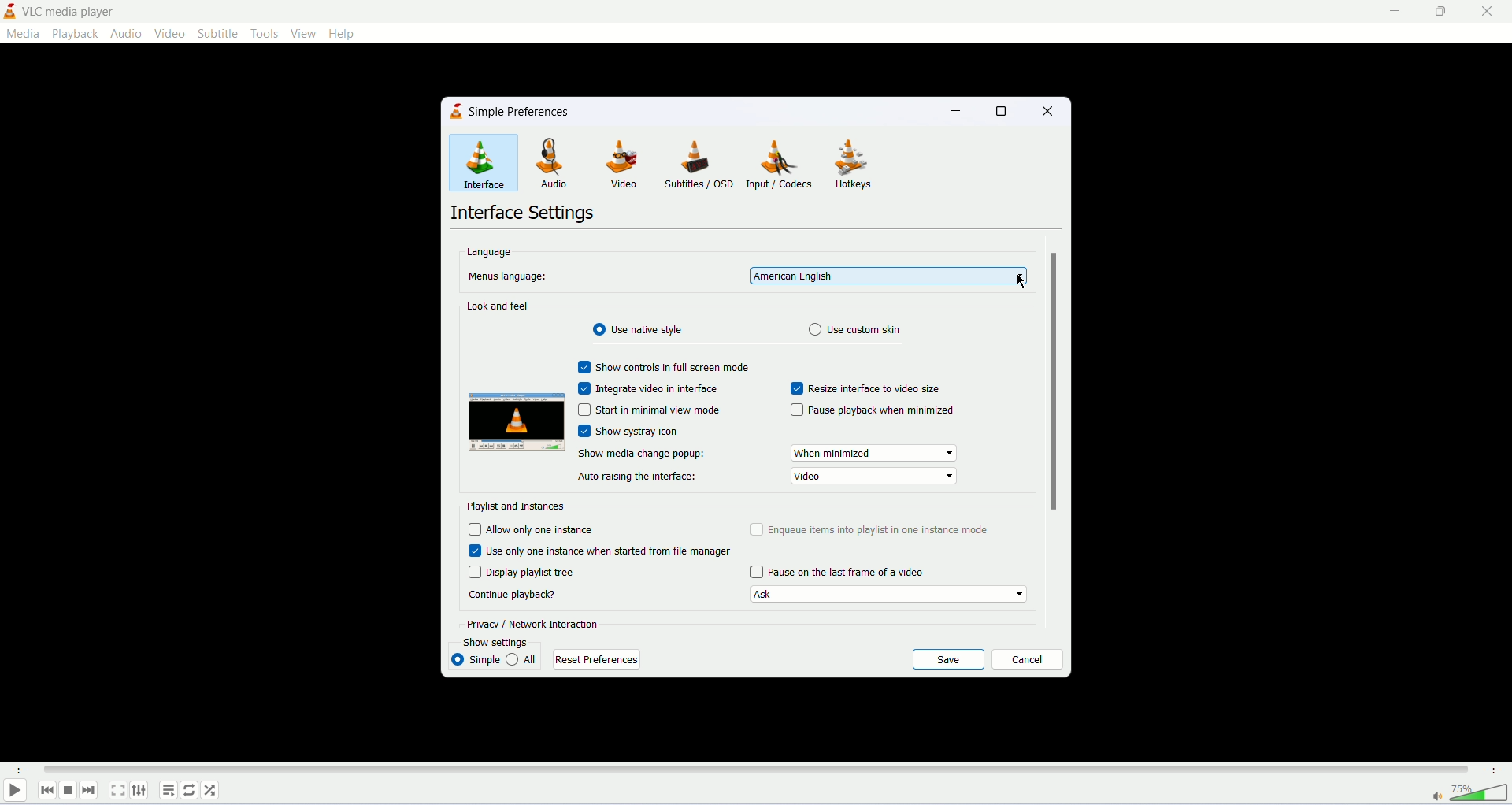 Image resolution: width=1512 pixels, height=805 pixels. What do you see at coordinates (9, 10) in the screenshot?
I see `logo` at bounding box center [9, 10].